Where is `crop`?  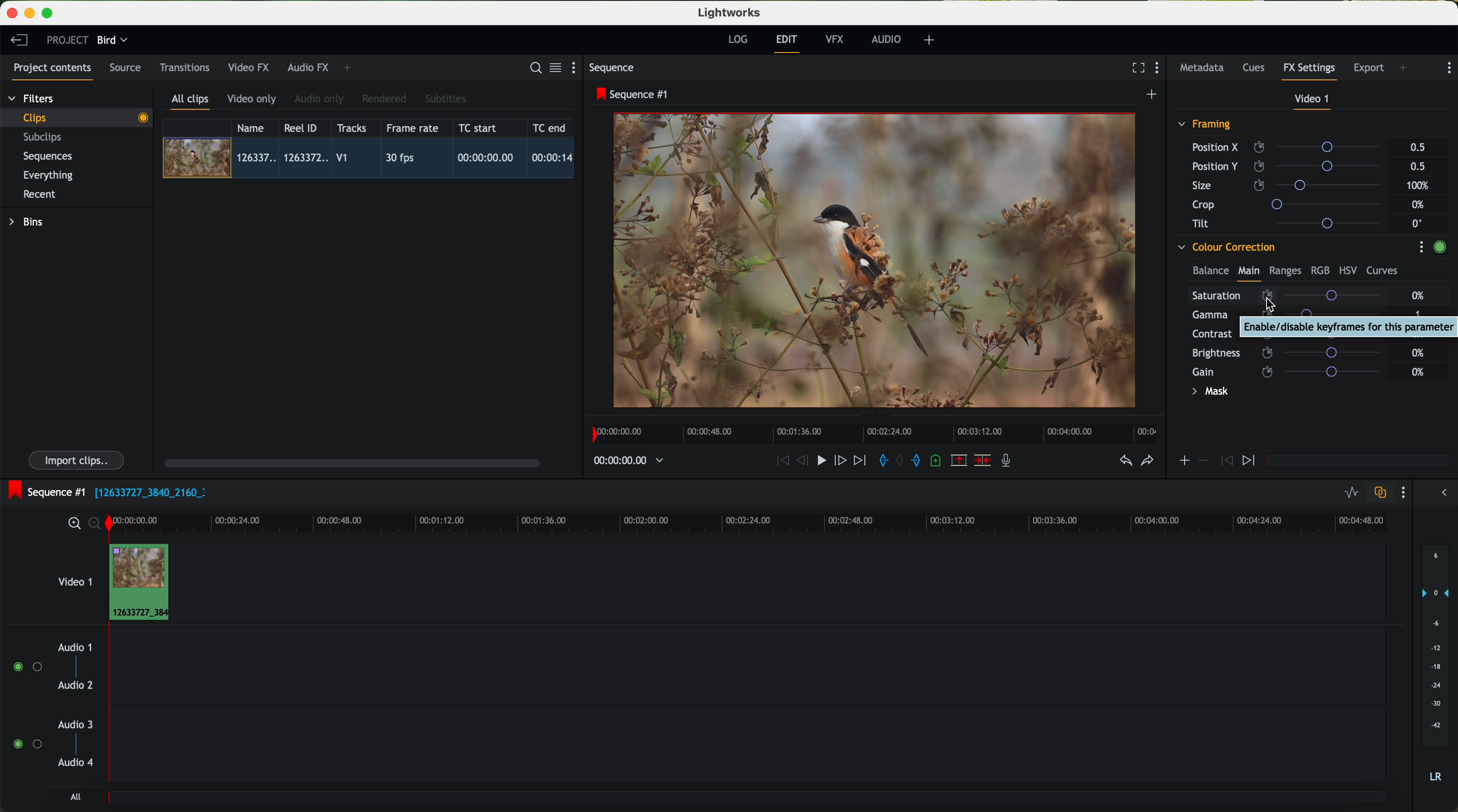
crop is located at coordinates (1290, 204).